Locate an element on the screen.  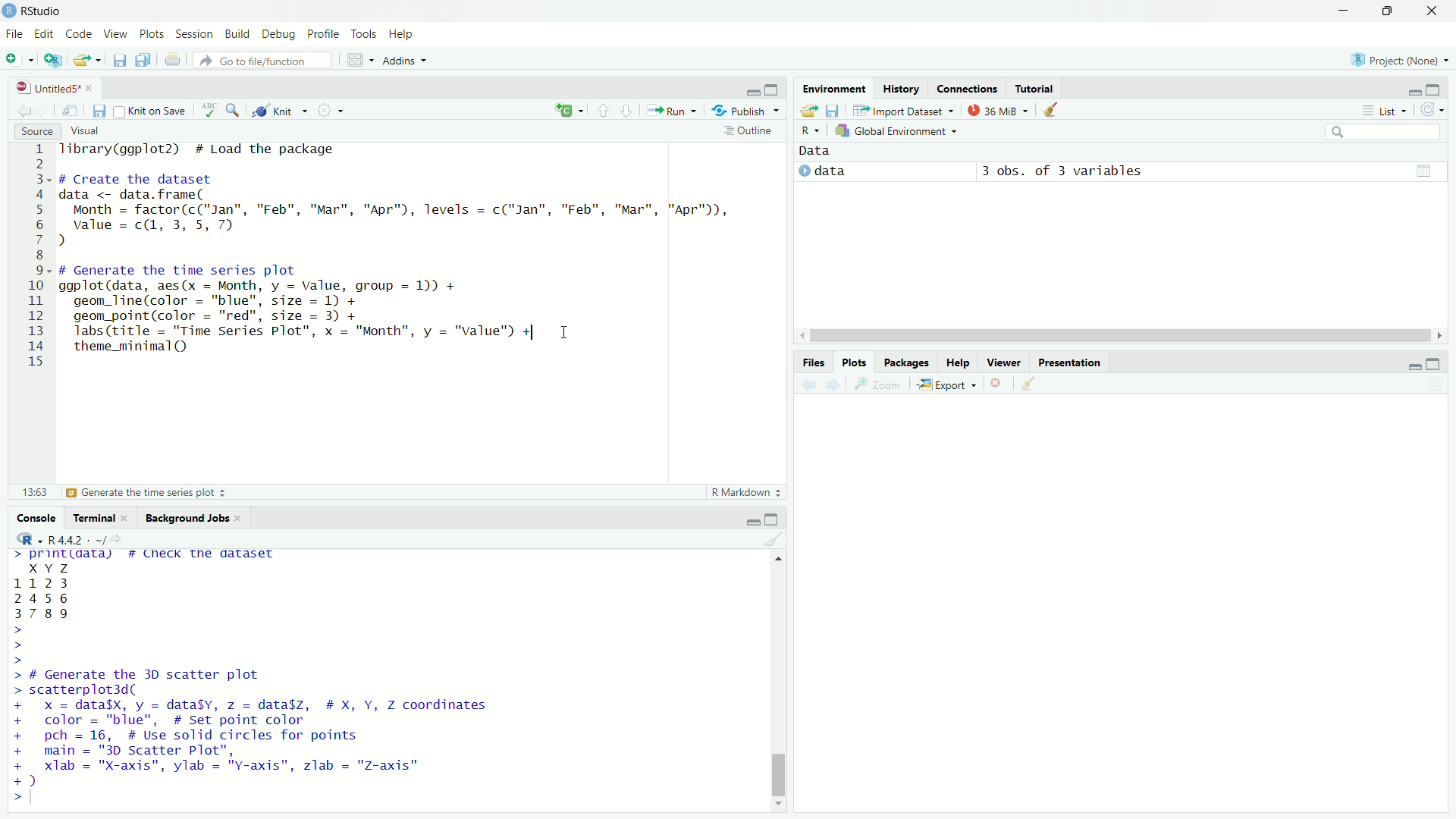
insert a new code chunk is located at coordinates (569, 110).